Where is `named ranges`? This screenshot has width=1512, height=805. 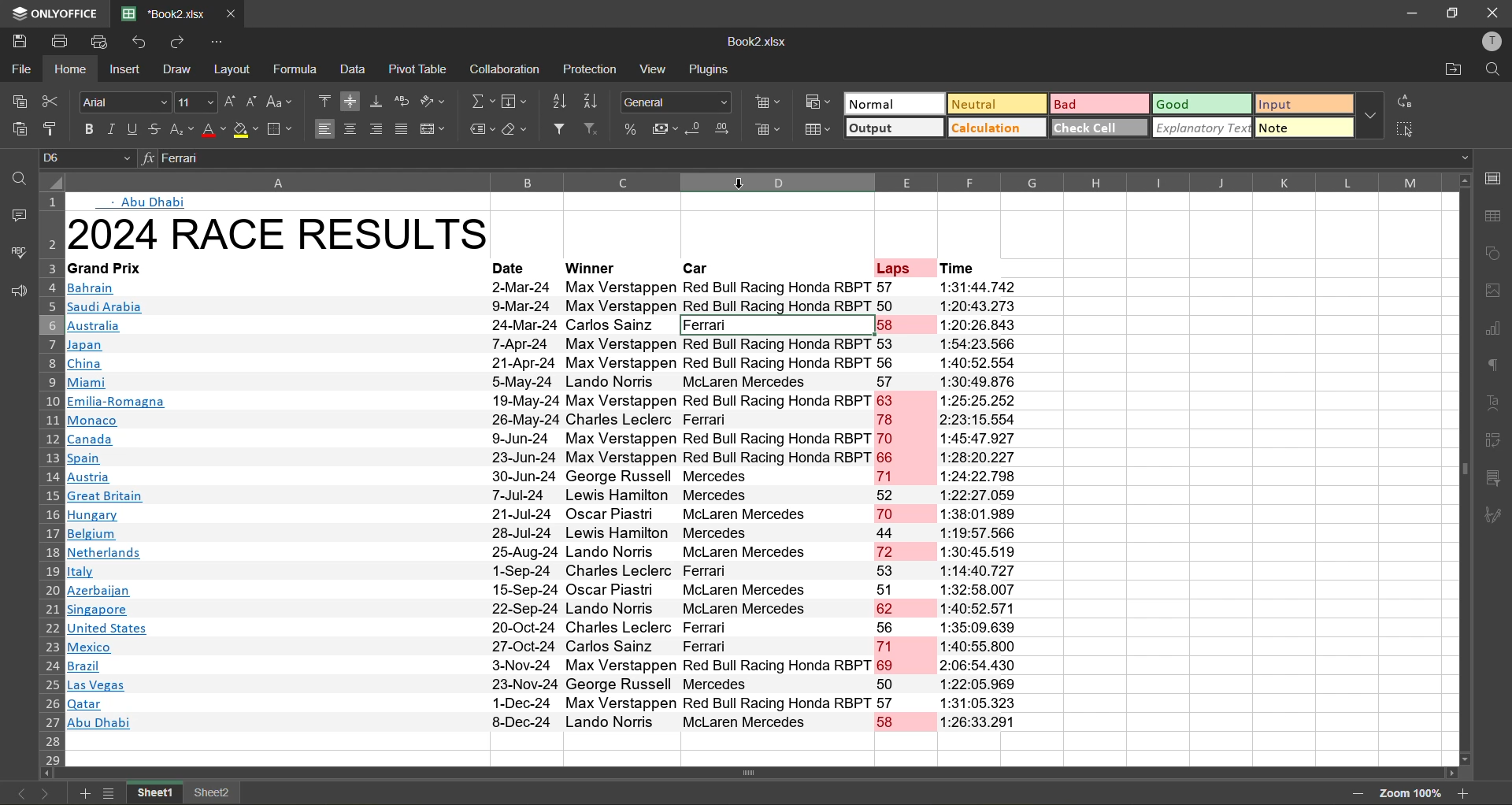 named ranges is located at coordinates (480, 127).